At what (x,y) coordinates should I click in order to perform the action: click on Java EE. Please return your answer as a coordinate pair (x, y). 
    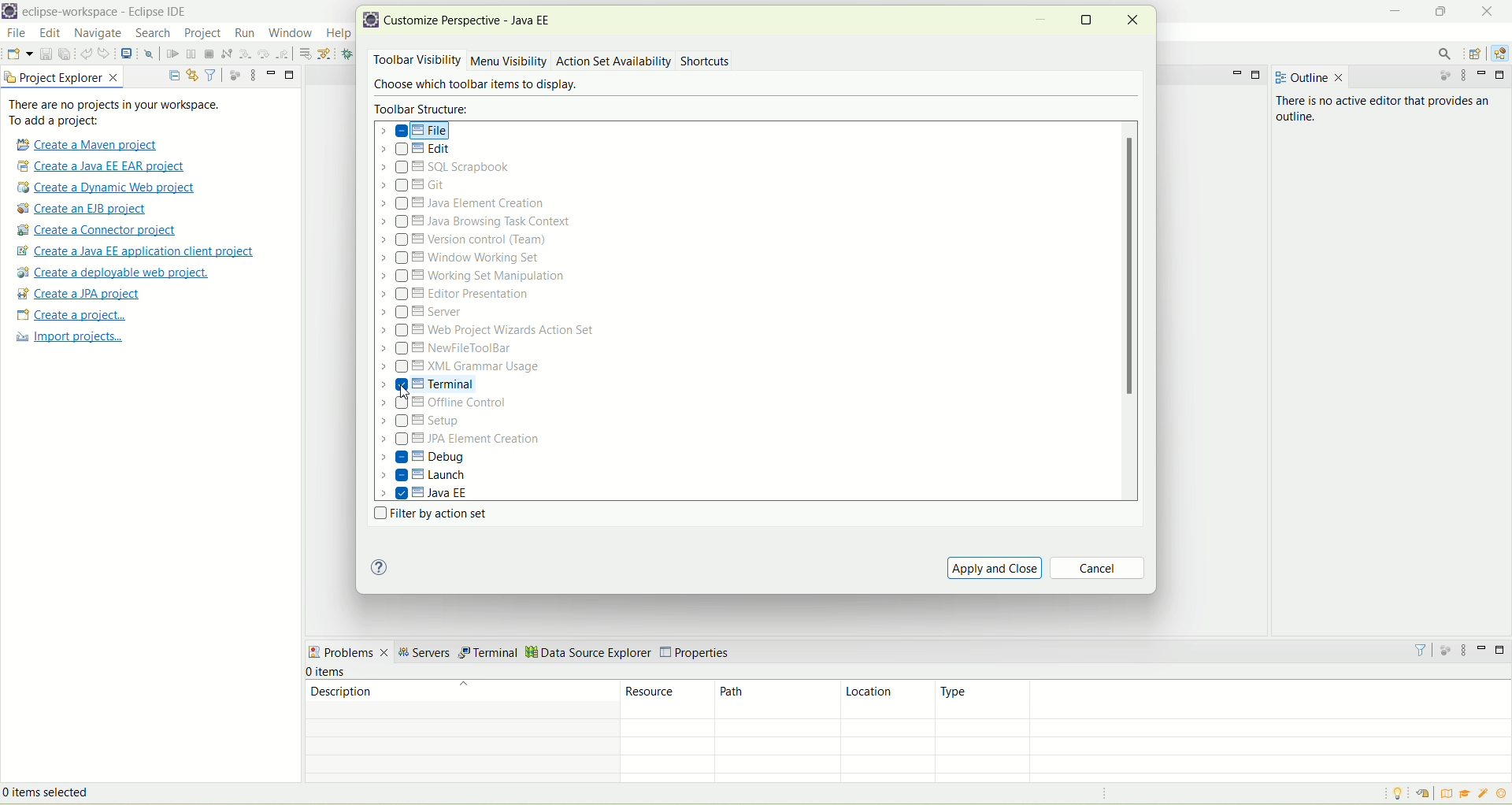
    Looking at the image, I should click on (1499, 54).